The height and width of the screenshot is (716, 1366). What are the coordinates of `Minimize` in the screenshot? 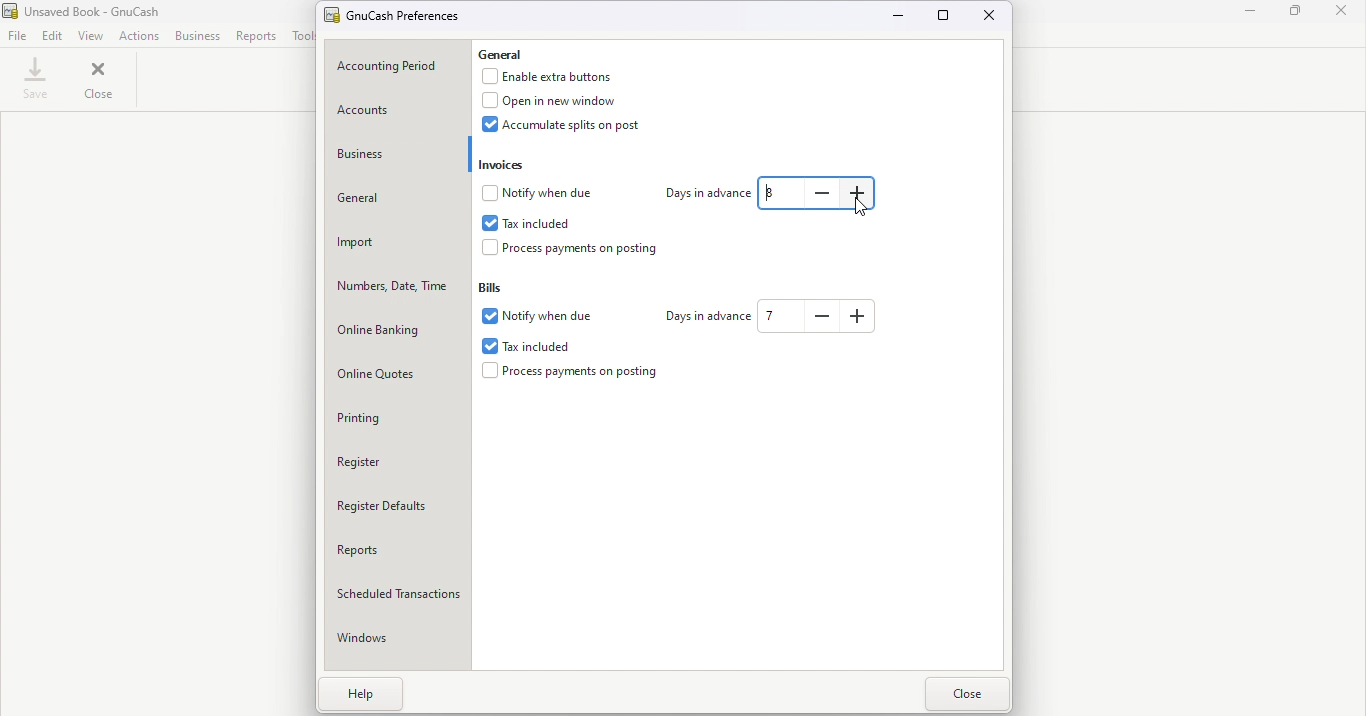 It's located at (1249, 14).